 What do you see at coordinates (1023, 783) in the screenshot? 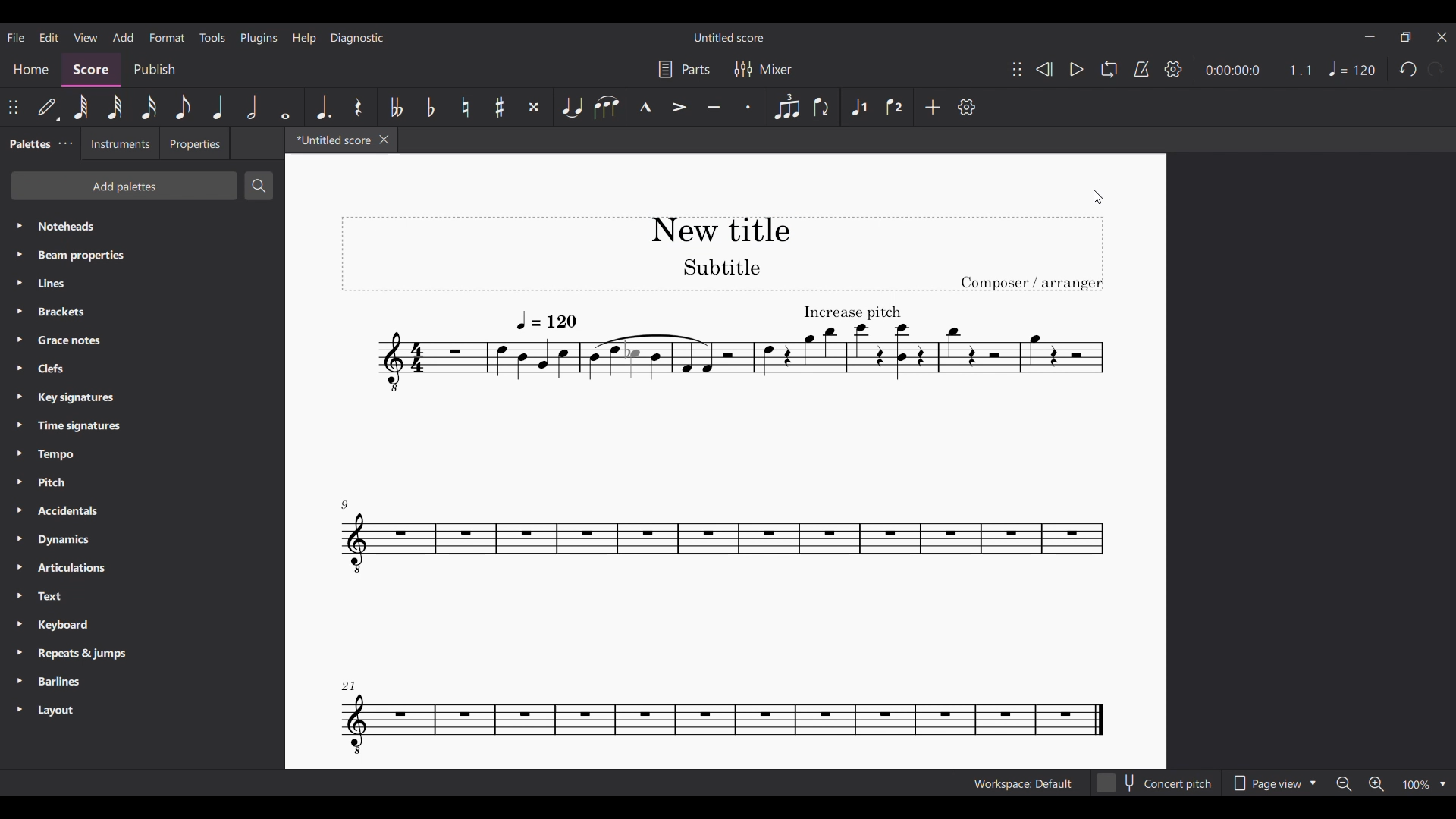
I see `Workspace: Default` at bounding box center [1023, 783].